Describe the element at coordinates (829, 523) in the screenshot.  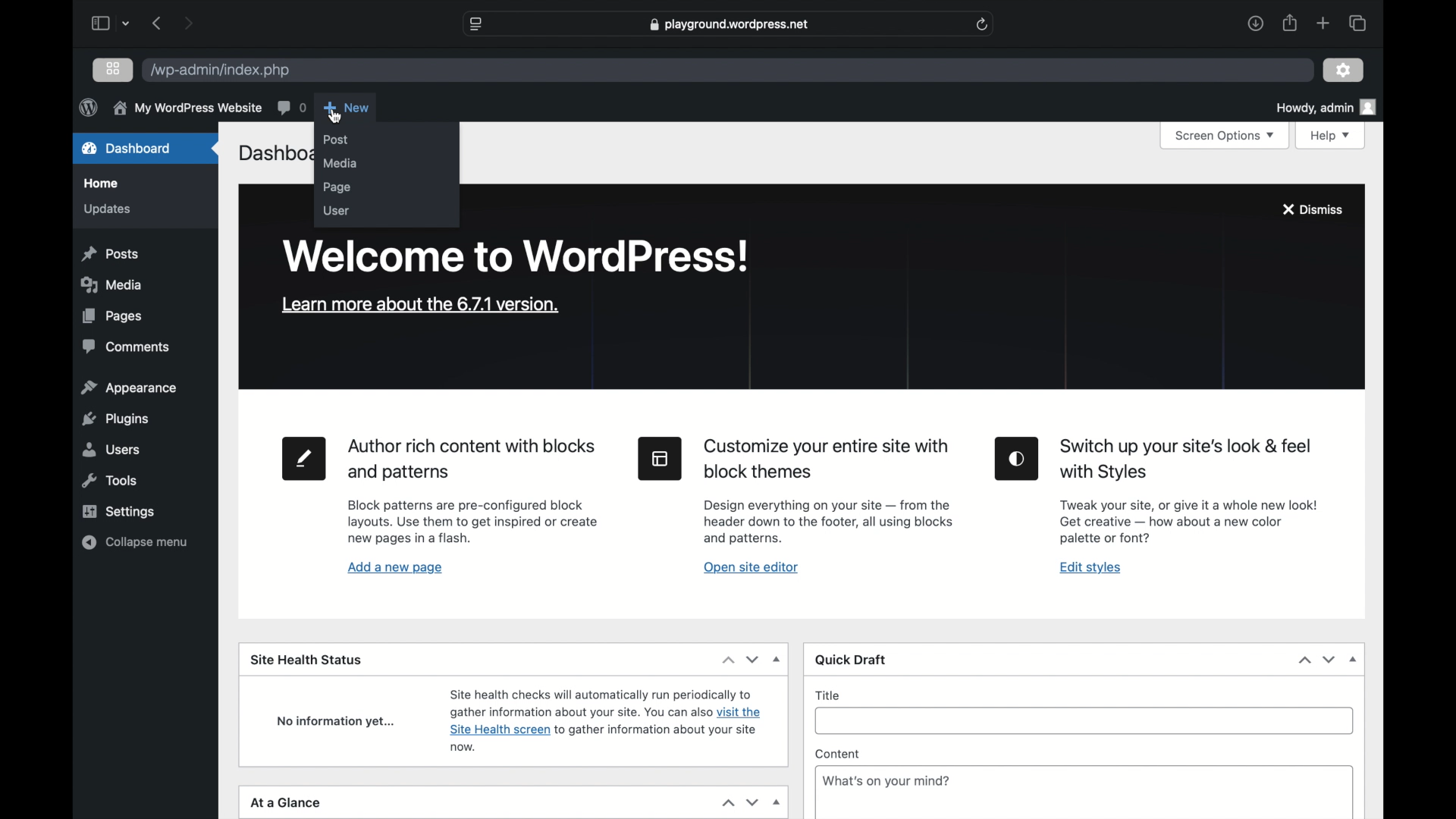
I see `site editor tool information` at that location.